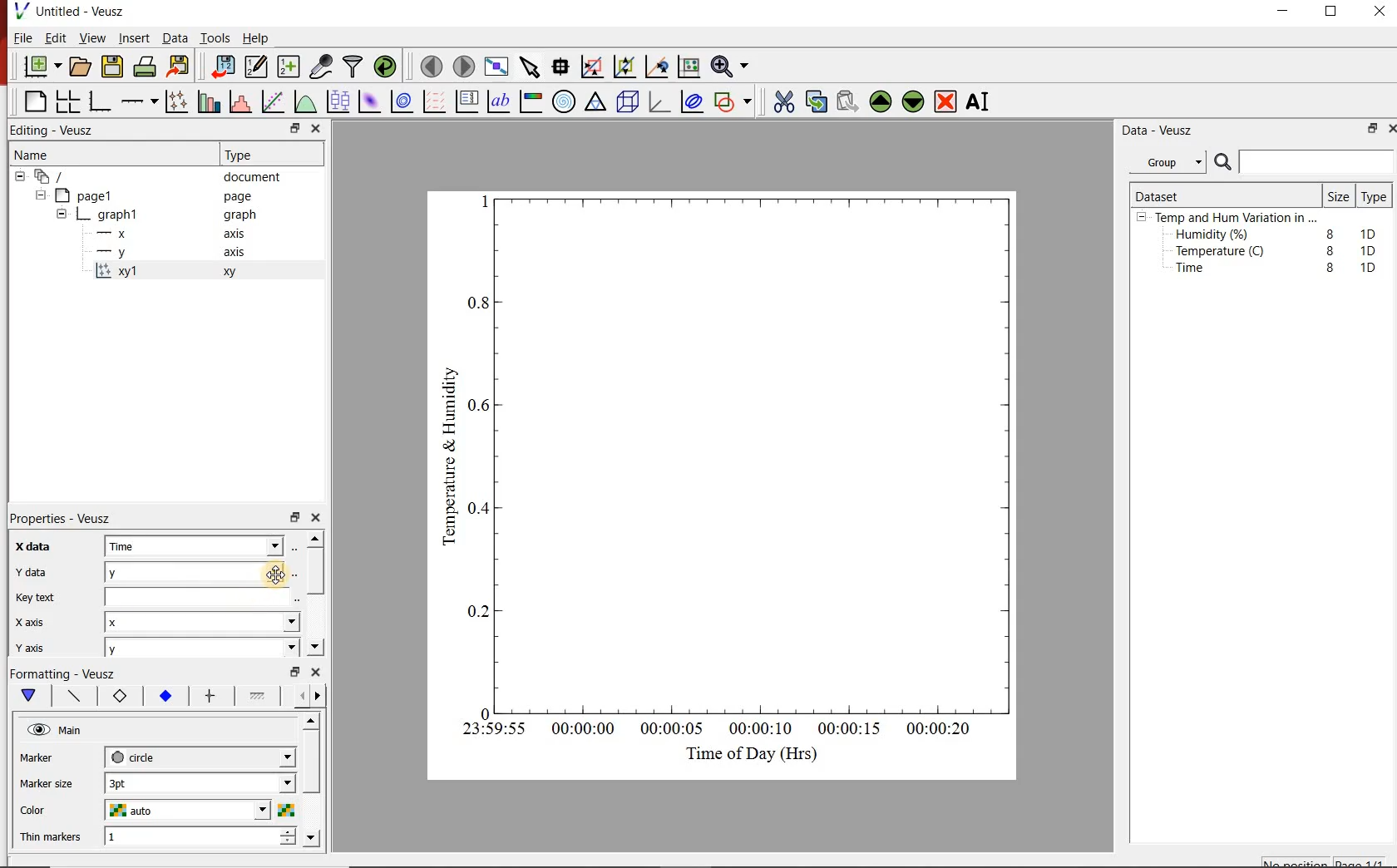  Describe the element at coordinates (1223, 253) in the screenshot. I see `Temperature (C)` at that location.